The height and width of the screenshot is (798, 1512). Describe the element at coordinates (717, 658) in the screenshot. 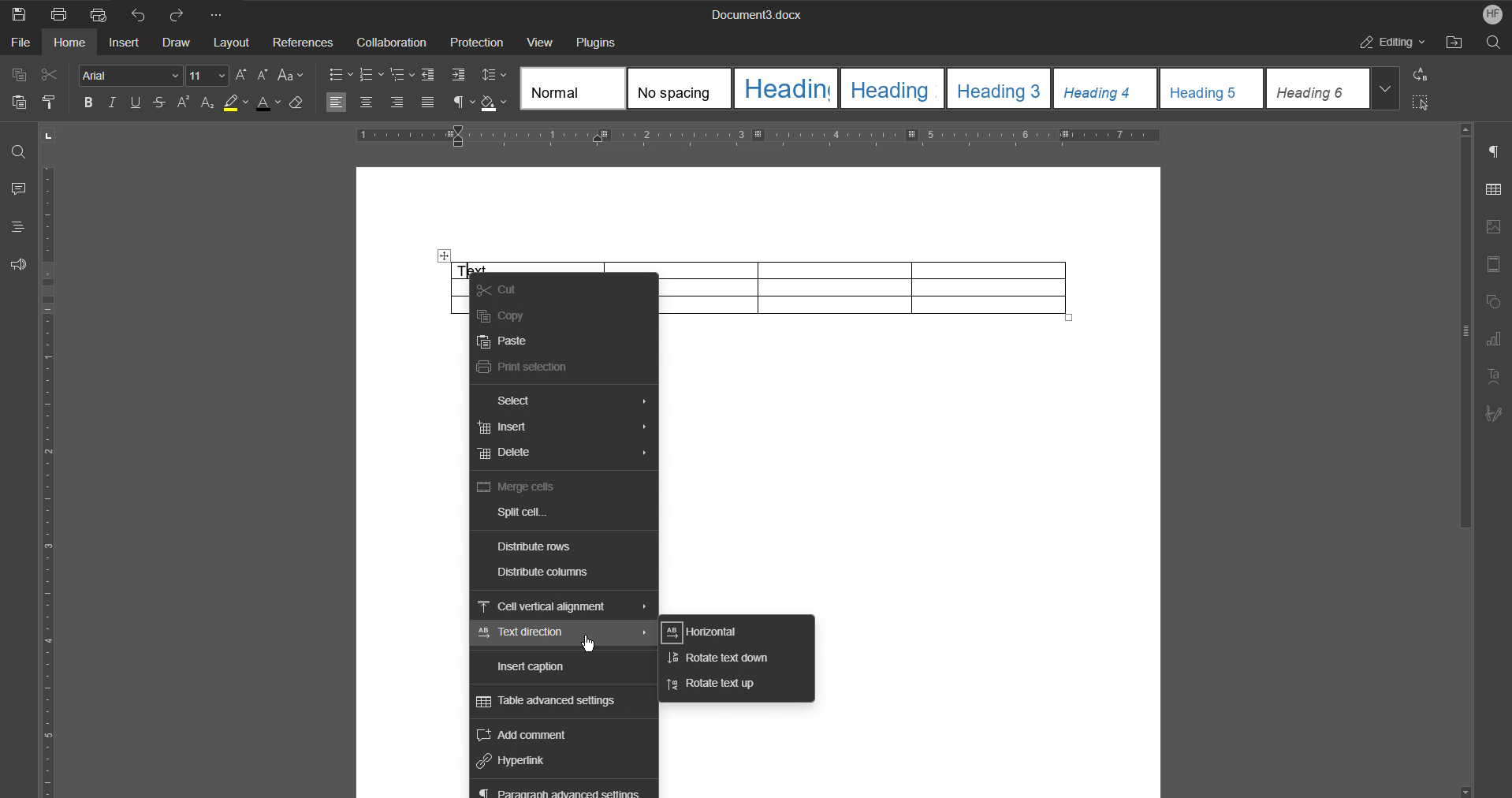

I see `Rotate text down` at that location.